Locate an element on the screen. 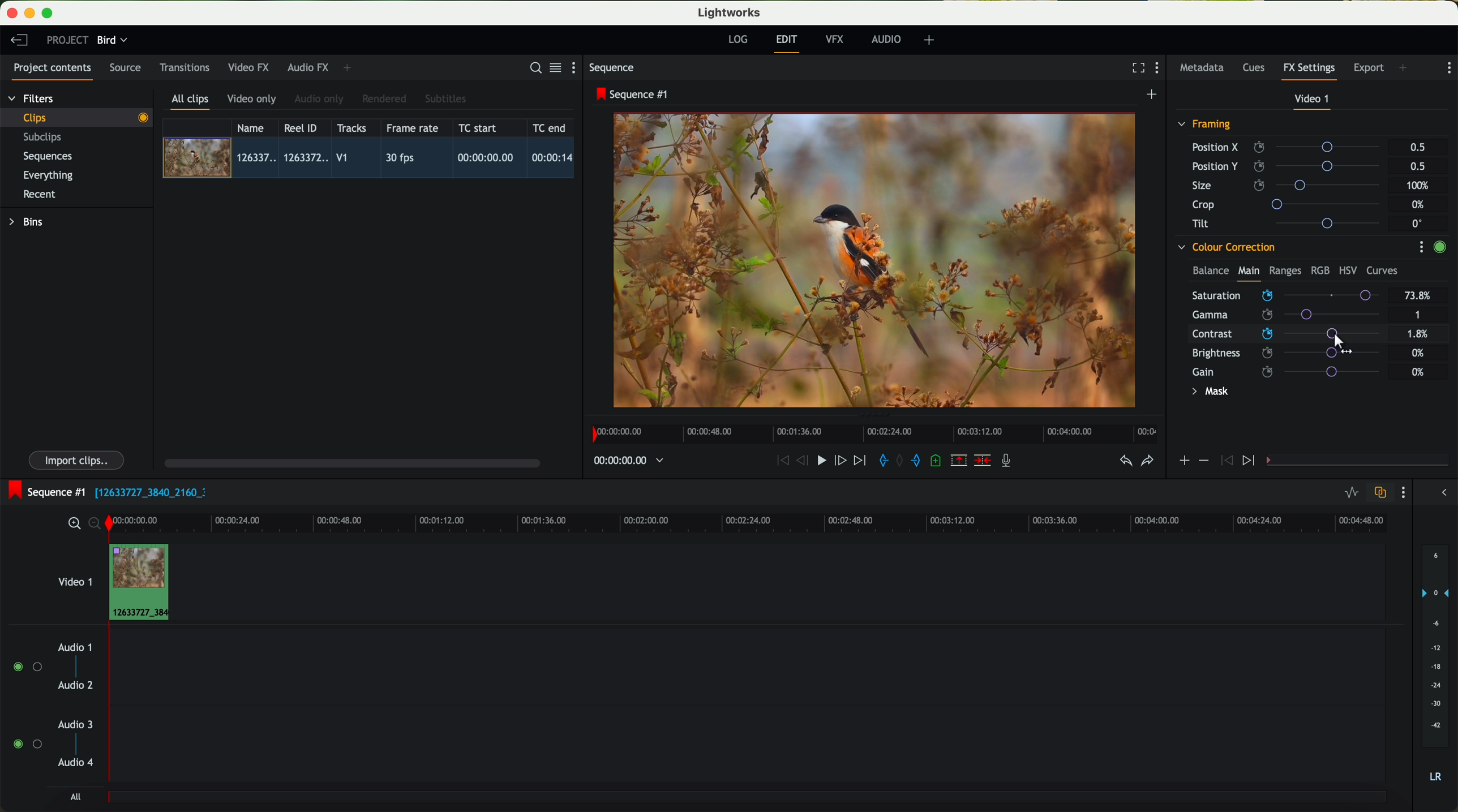  audio FX is located at coordinates (308, 67).